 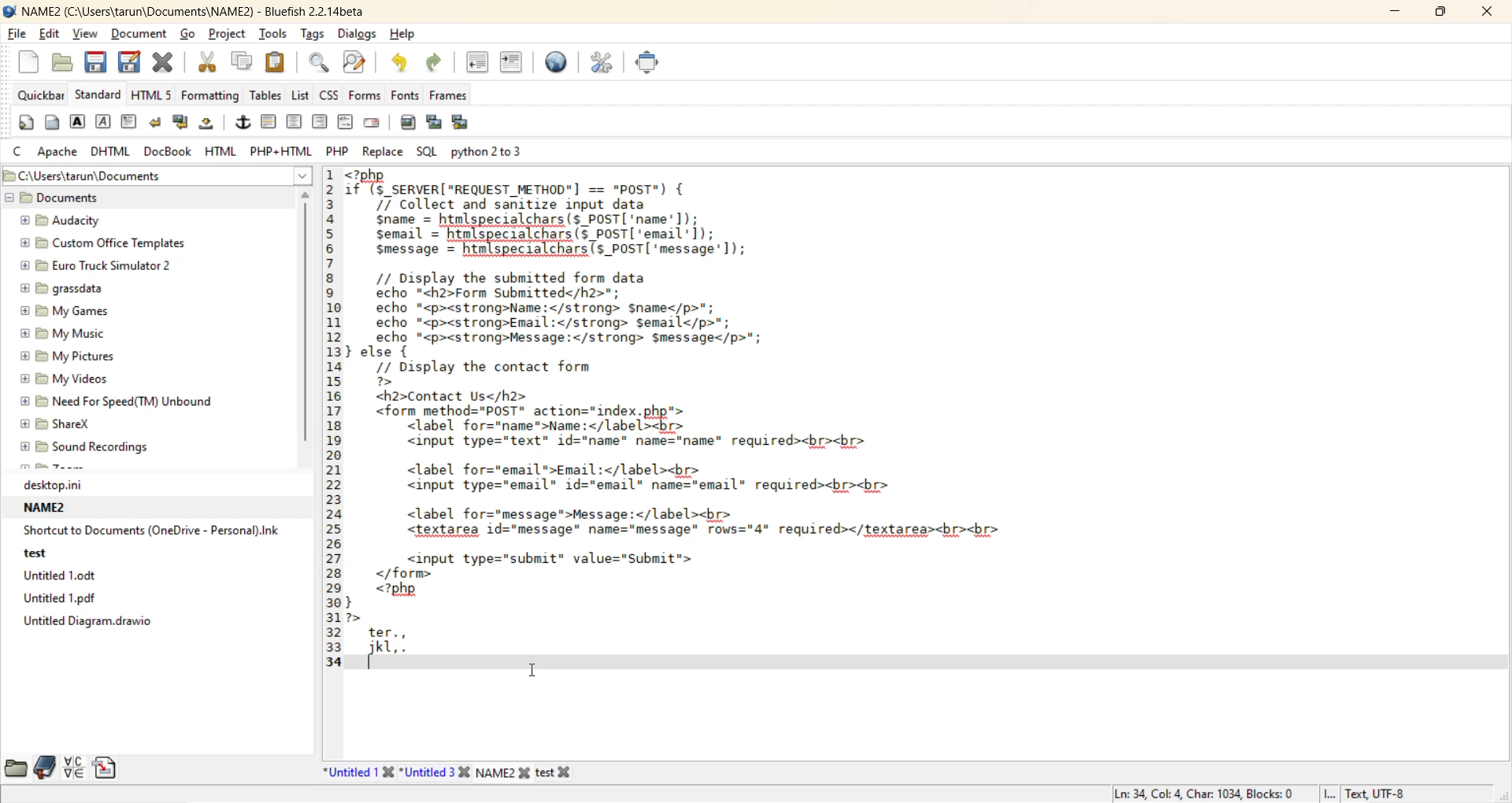 What do you see at coordinates (315, 35) in the screenshot?
I see `tags` at bounding box center [315, 35].